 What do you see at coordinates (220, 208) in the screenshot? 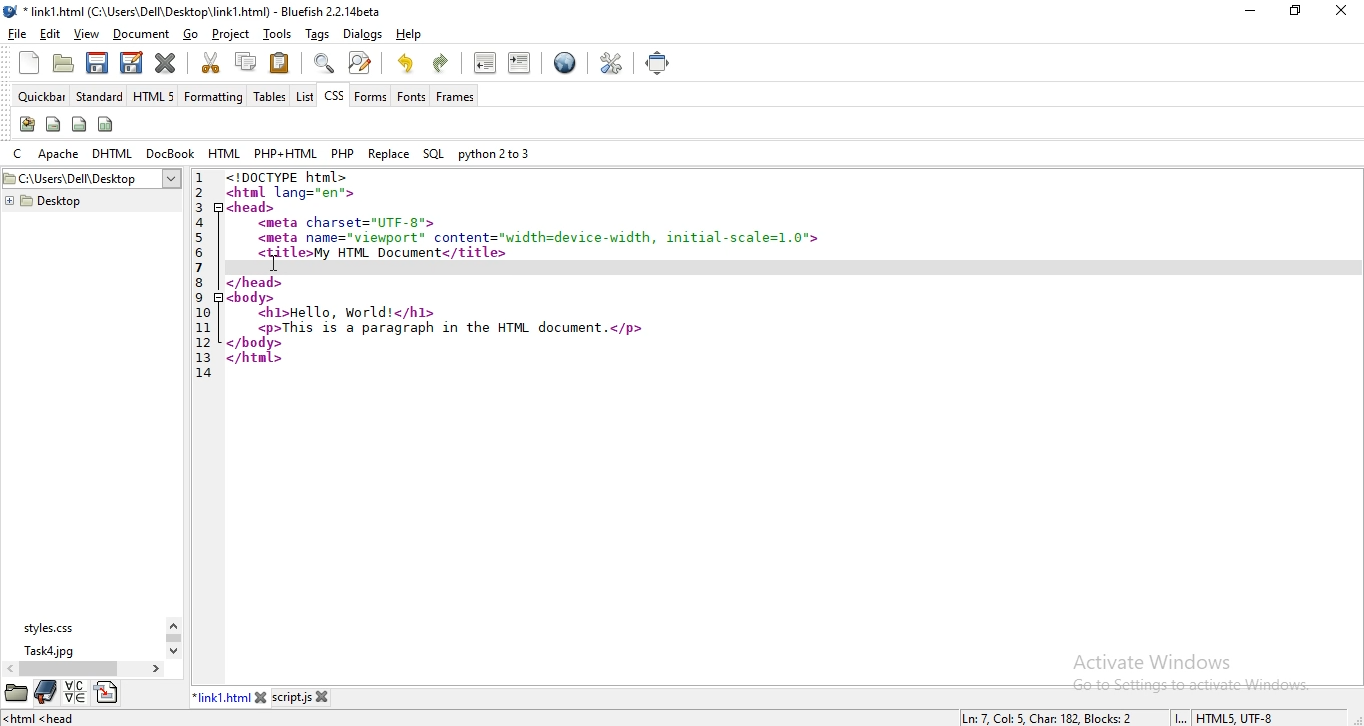
I see `code fold` at bounding box center [220, 208].